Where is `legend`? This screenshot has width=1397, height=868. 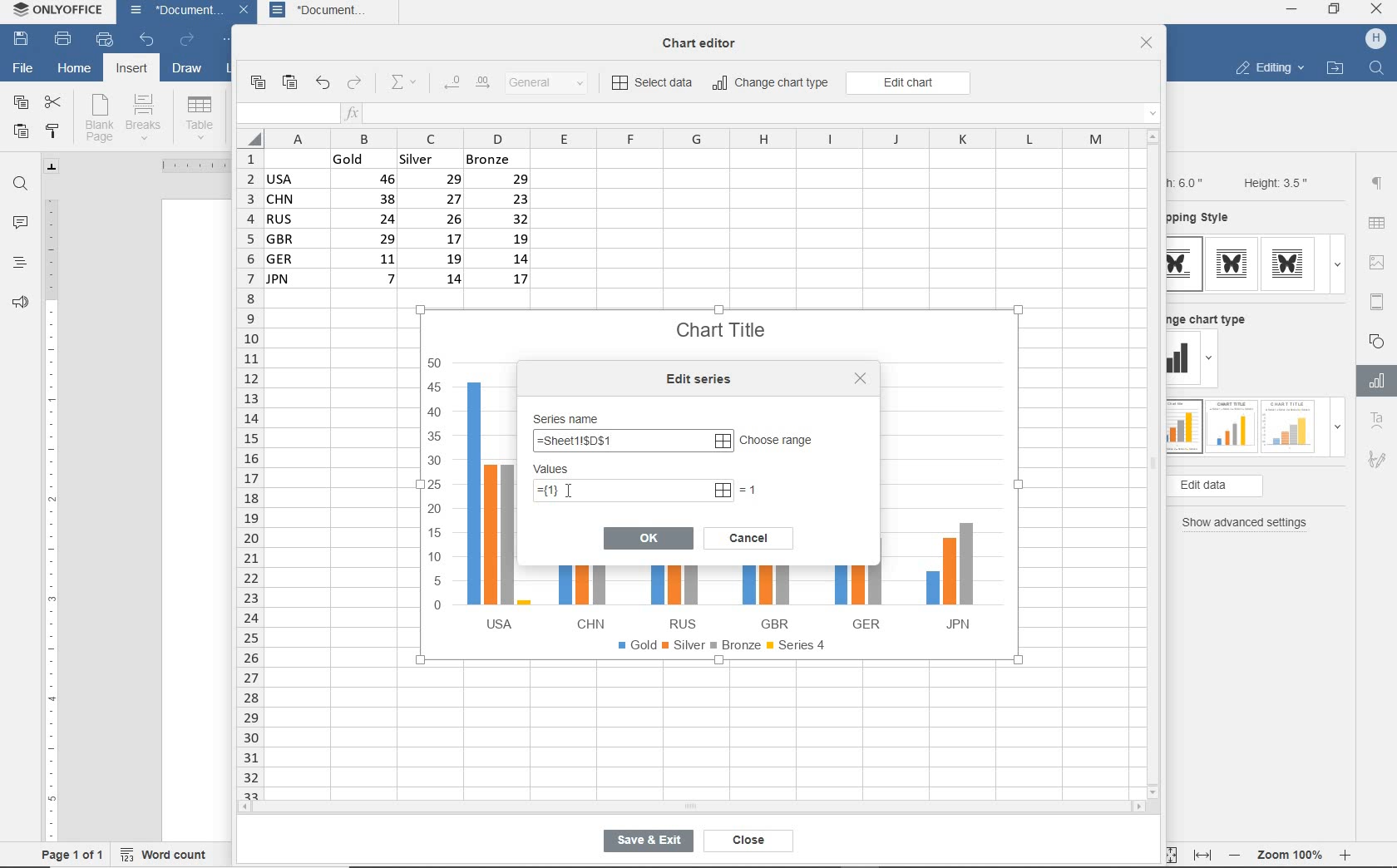
legend is located at coordinates (726, 649).